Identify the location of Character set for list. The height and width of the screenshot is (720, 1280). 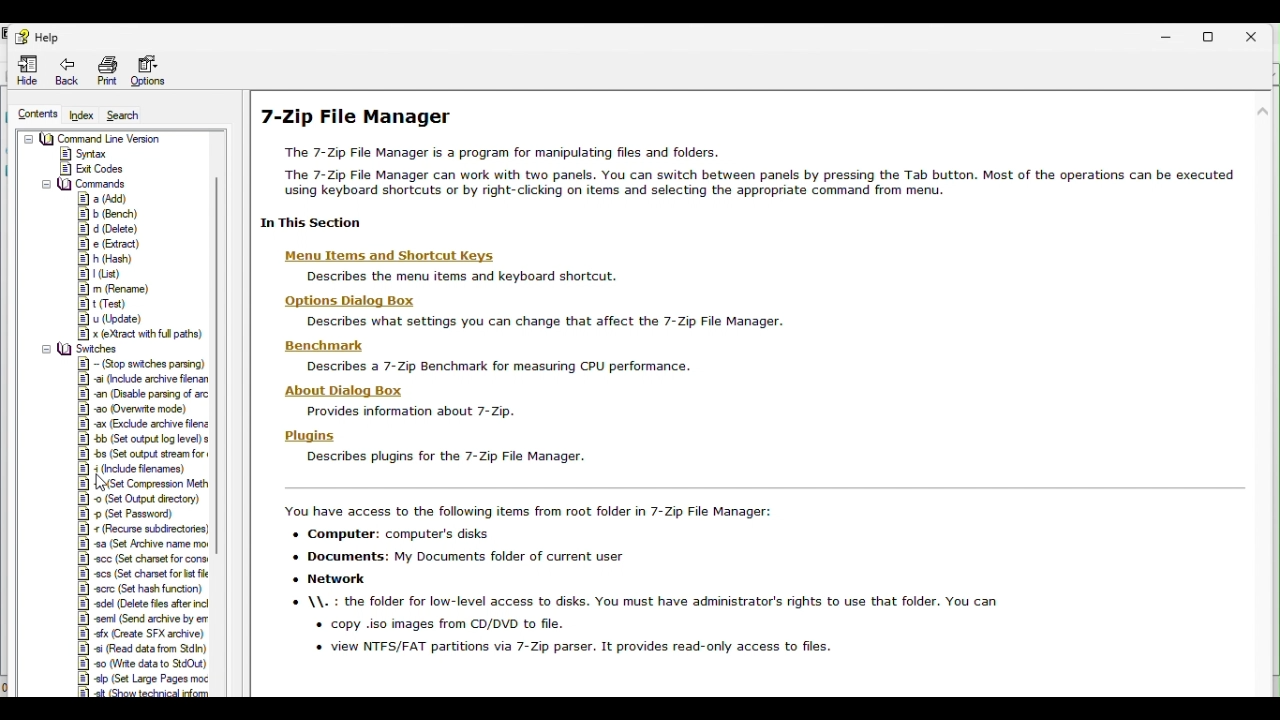
(143, 573).